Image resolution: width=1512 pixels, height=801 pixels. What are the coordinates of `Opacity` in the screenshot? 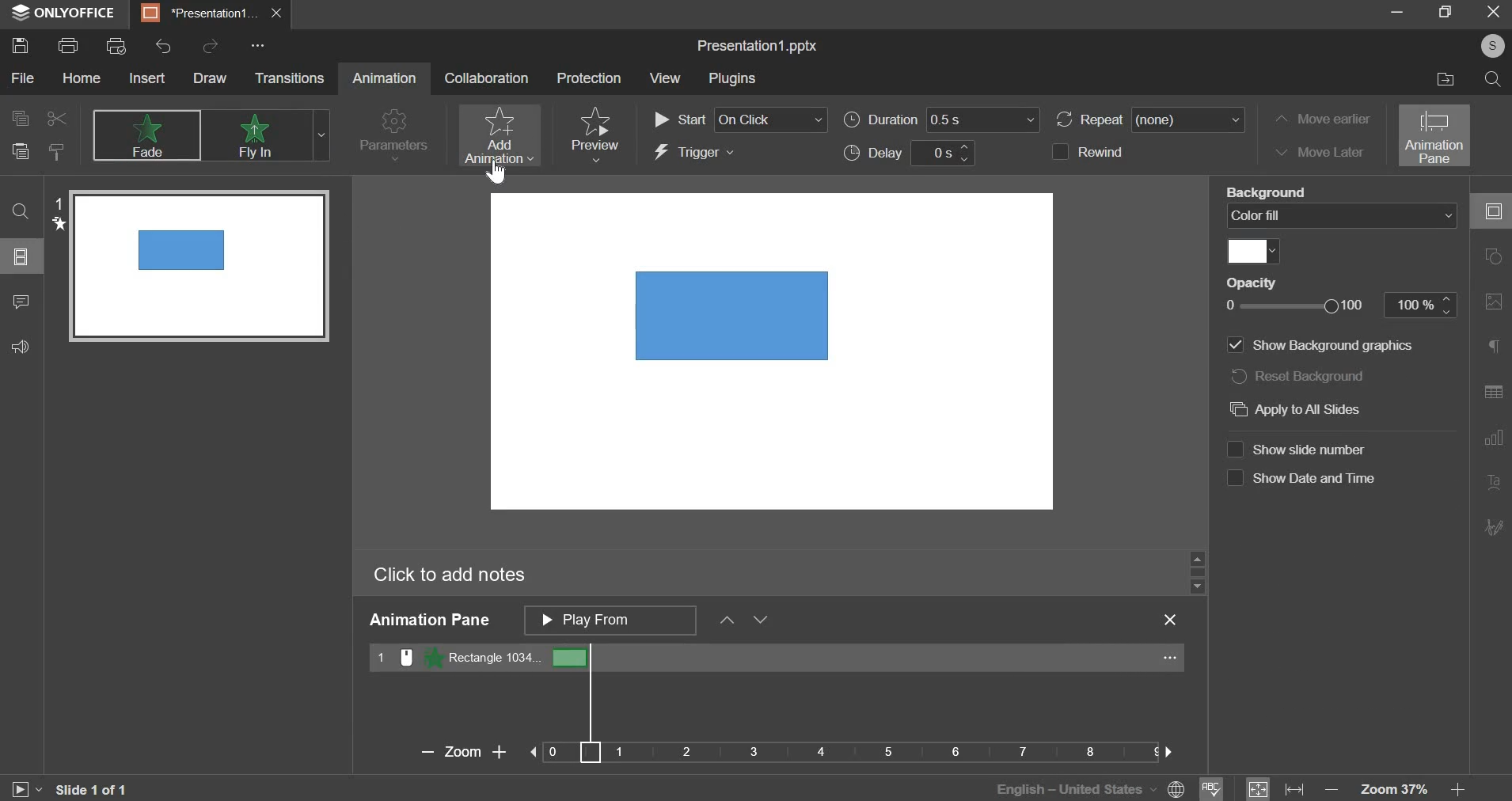 It's located at (1258, 282).